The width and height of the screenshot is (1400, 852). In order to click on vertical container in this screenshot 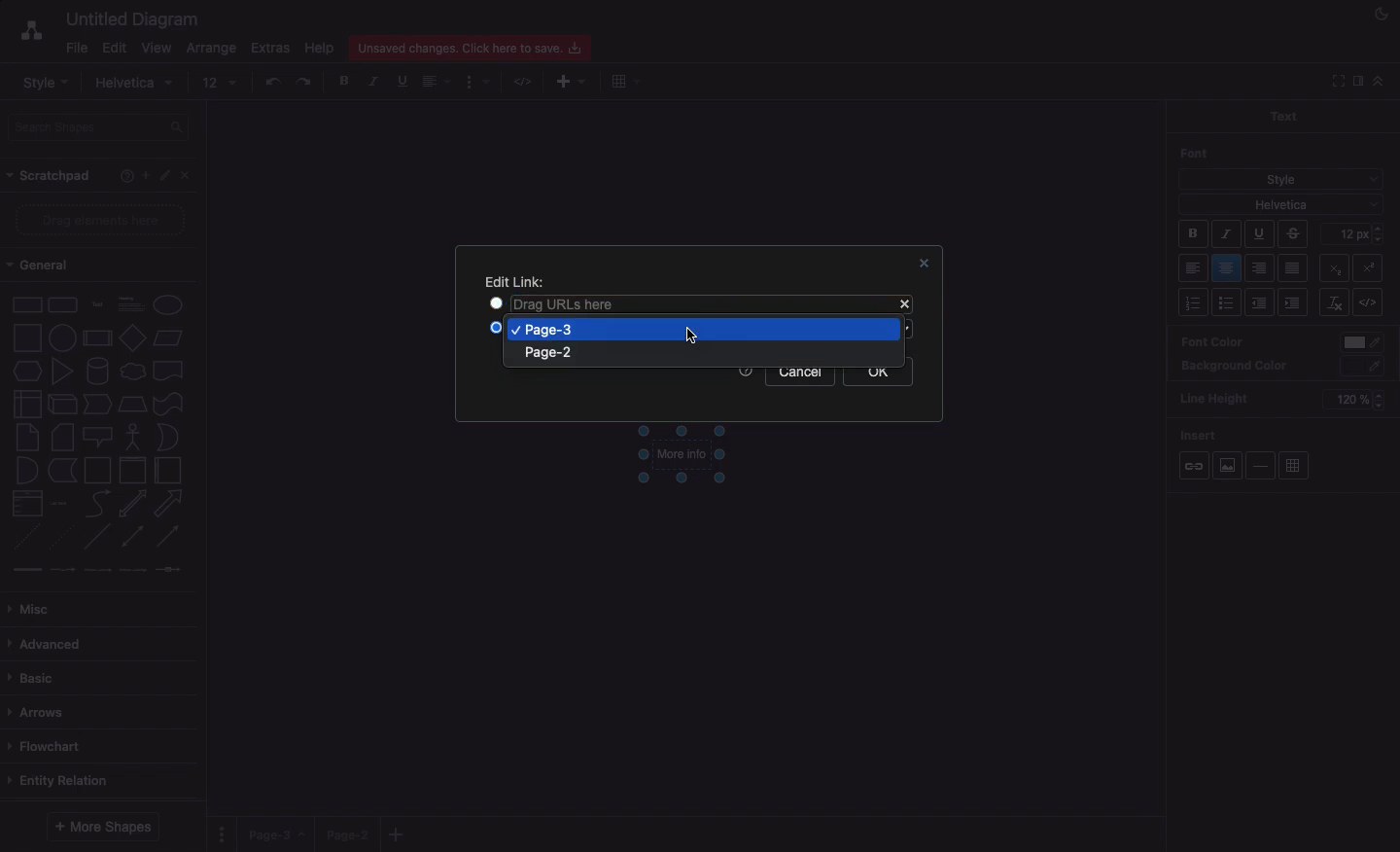, I will do `click(132, 471)`.